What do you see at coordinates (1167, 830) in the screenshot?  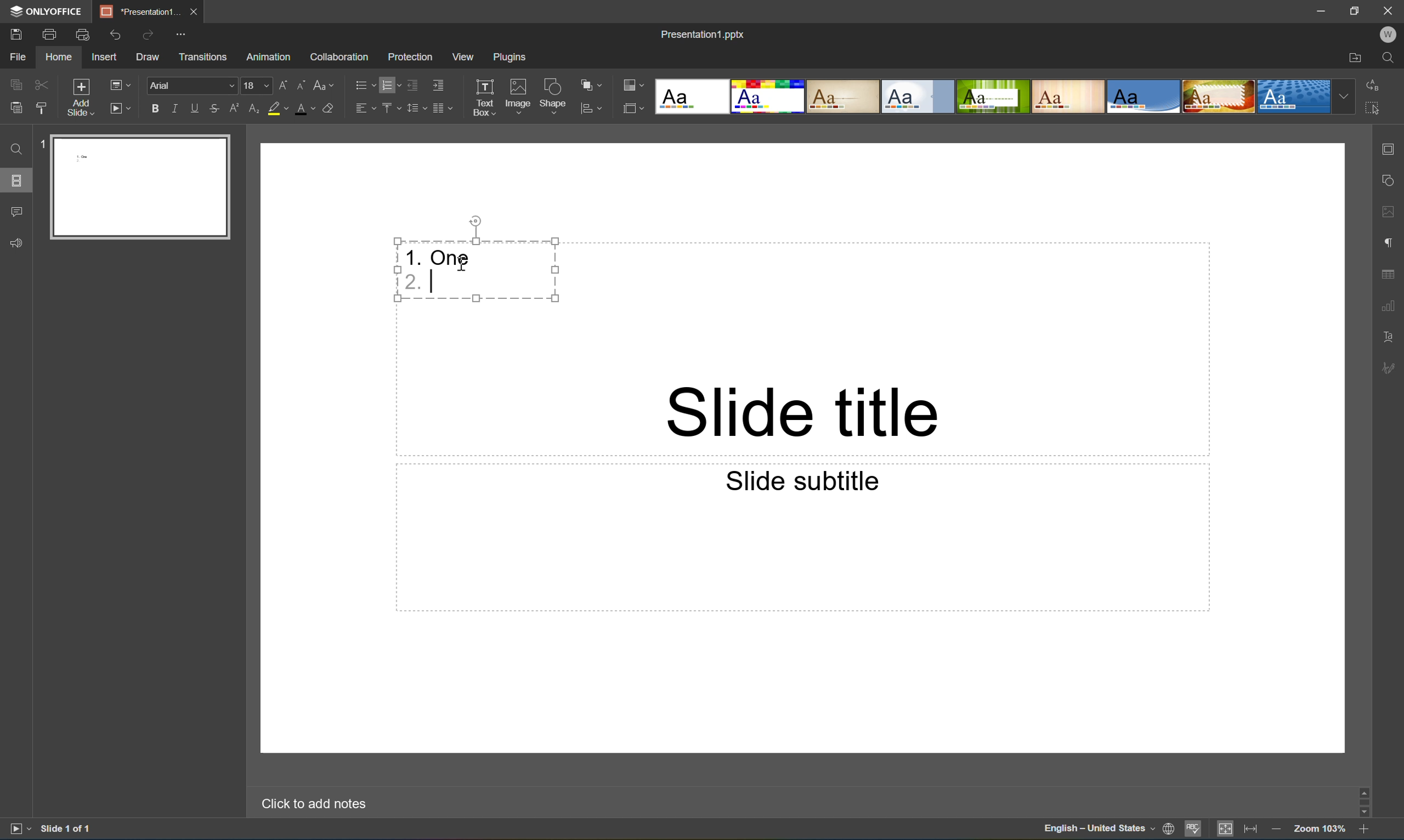 I see `Set document language` at bounding box center [1167, 830].